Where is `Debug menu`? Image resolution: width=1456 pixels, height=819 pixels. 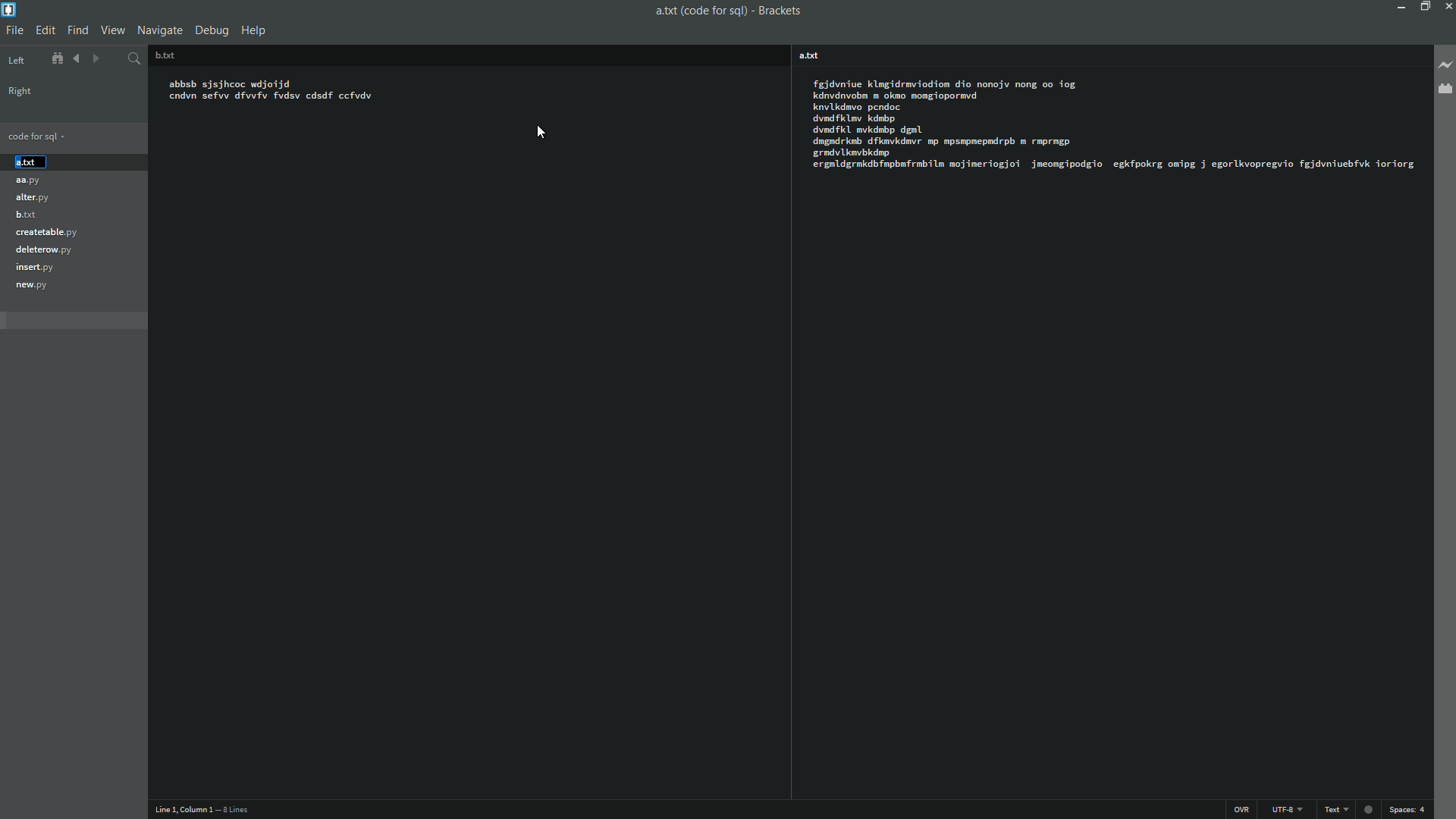 Debug menu is located at coordinates (215, 30).